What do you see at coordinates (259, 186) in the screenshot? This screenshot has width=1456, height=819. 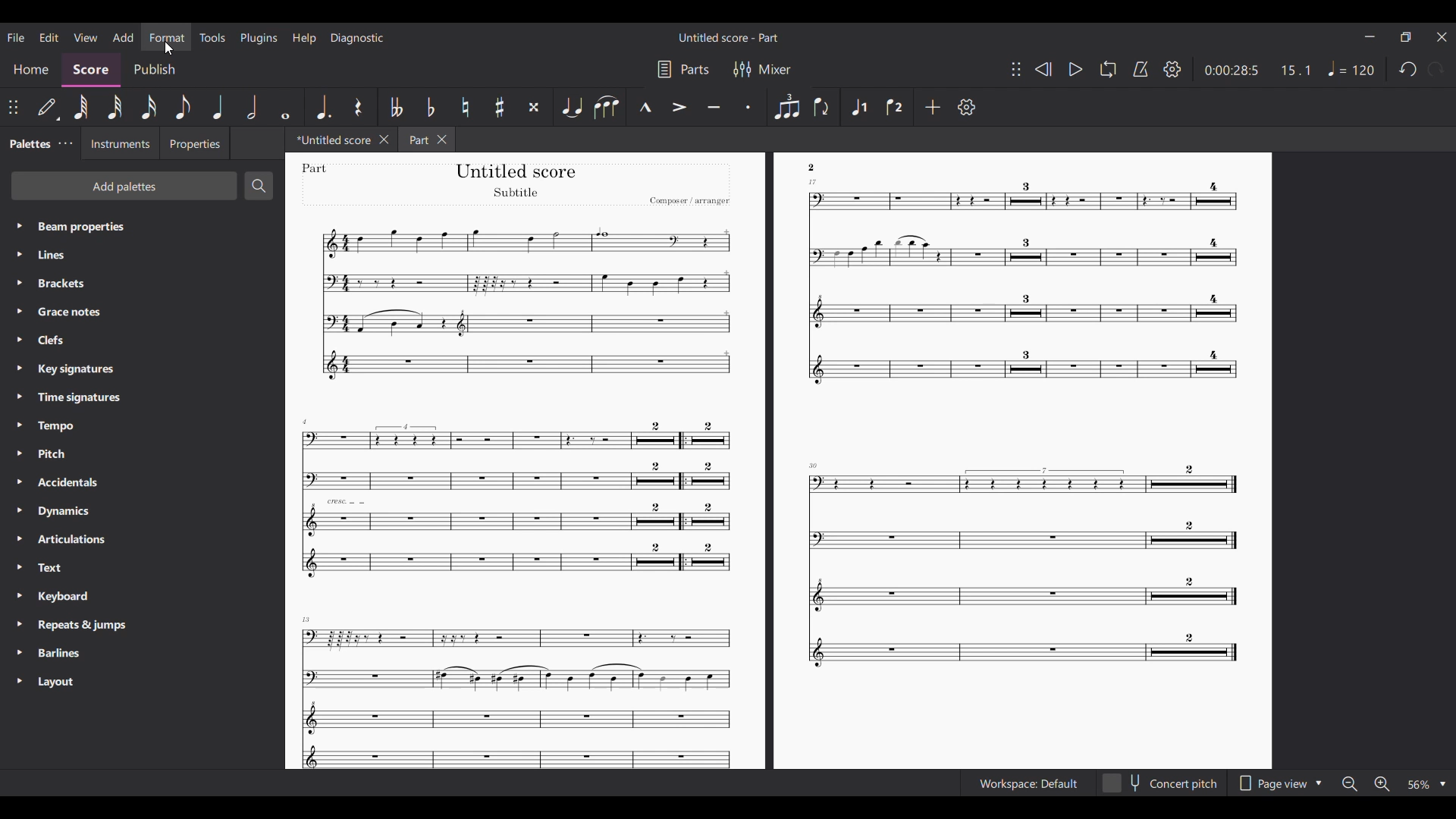 I see `Search` at bounding box center [259, 186].